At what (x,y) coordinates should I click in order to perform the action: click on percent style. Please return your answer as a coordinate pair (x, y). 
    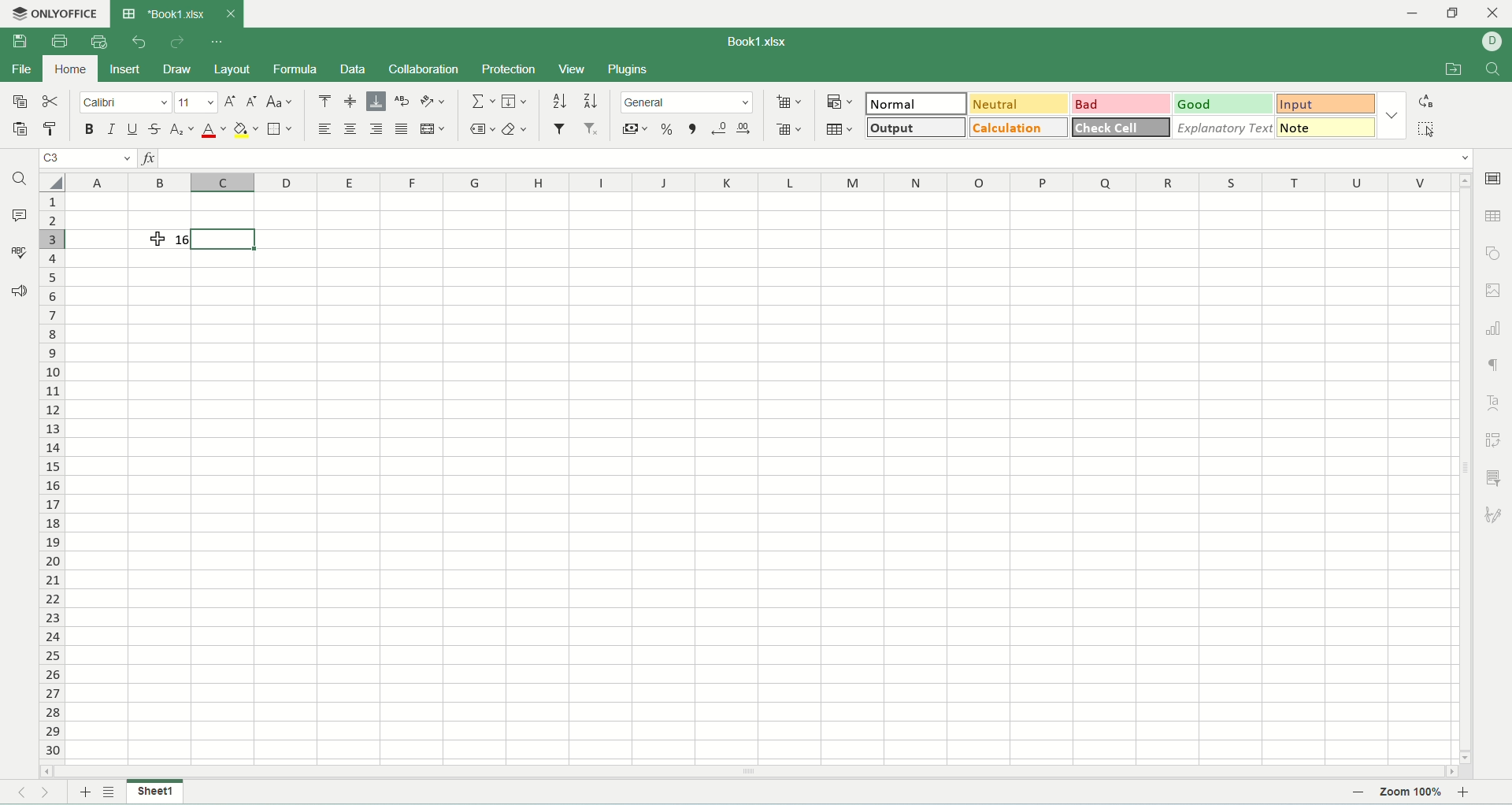
    Looking at the image, I should click on (671, 129).